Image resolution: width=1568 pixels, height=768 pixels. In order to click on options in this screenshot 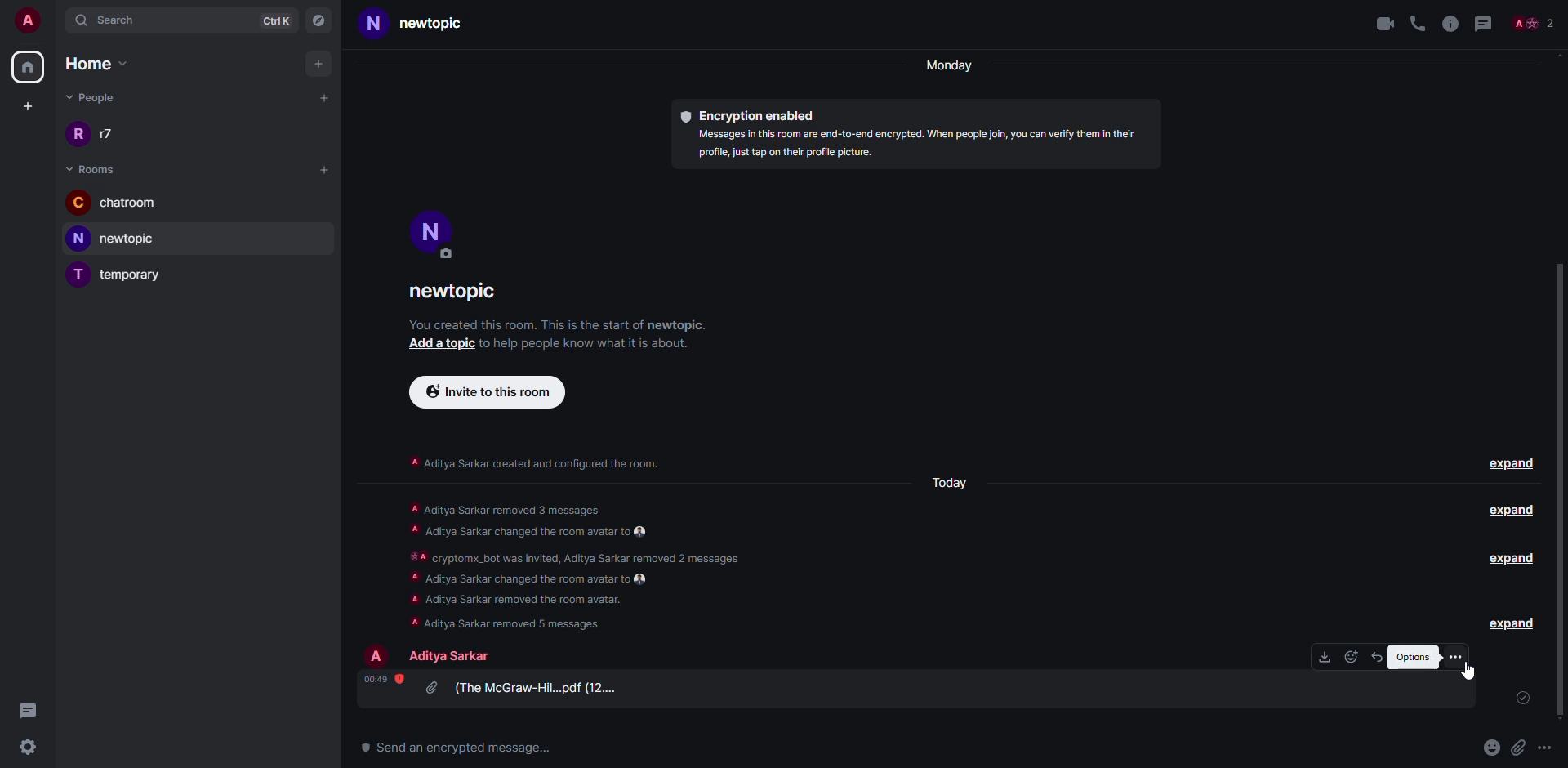, I will do `click(1457, 657)`.